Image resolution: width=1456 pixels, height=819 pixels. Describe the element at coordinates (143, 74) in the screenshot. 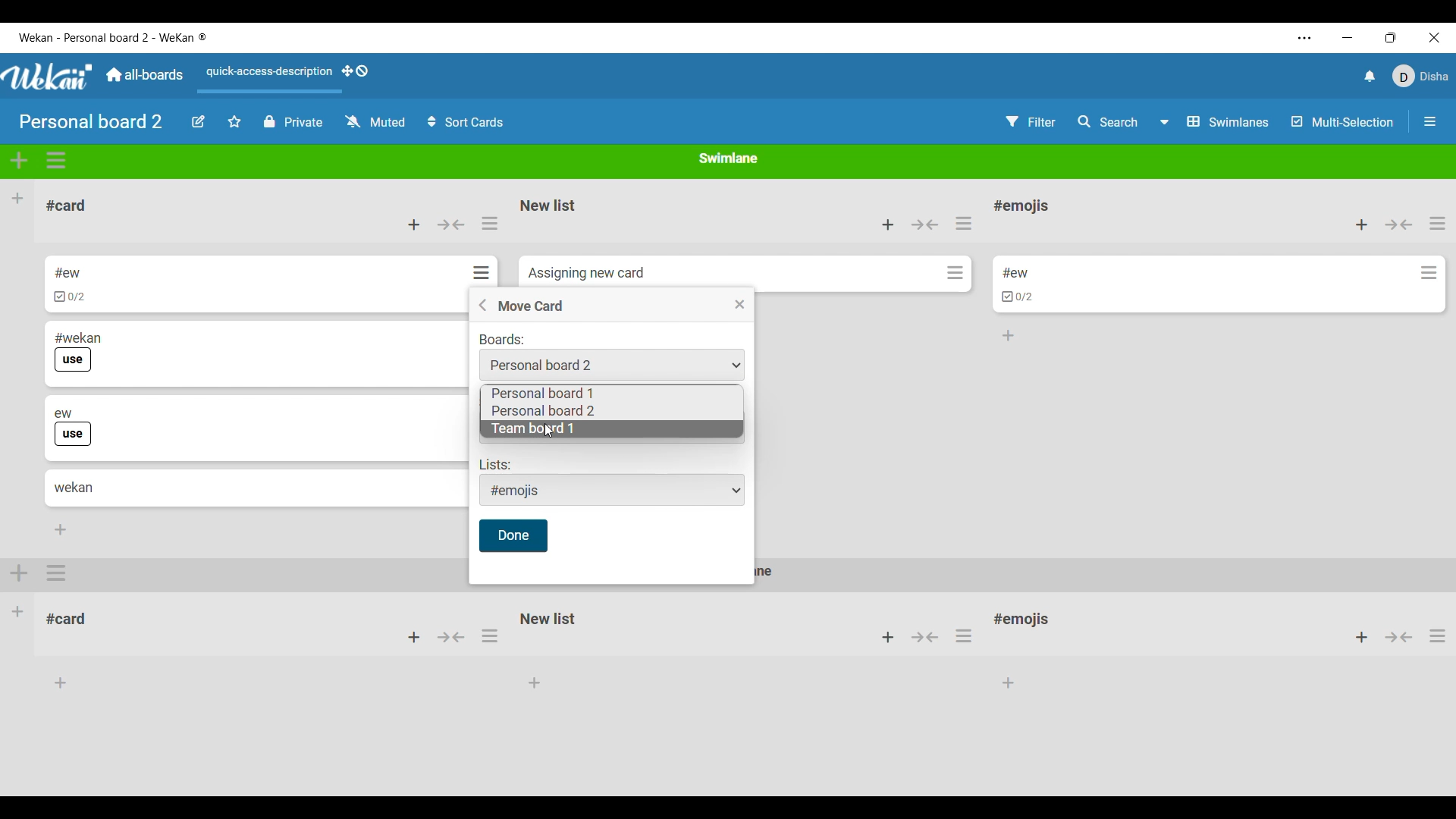

I see `Main dashboard` at that location.